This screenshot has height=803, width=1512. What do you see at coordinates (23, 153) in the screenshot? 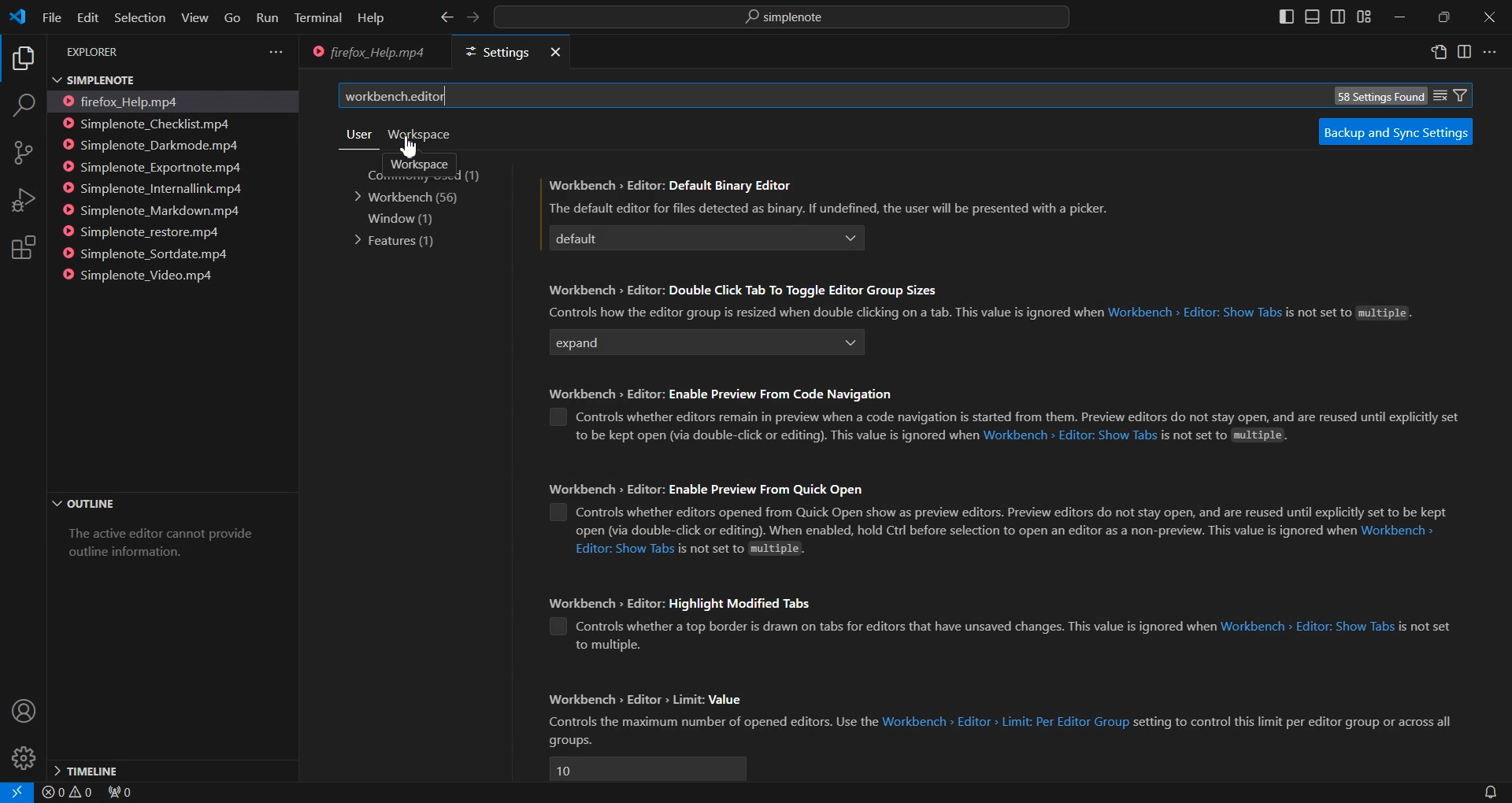
I see `Source control` at bounding box center [23, 153].